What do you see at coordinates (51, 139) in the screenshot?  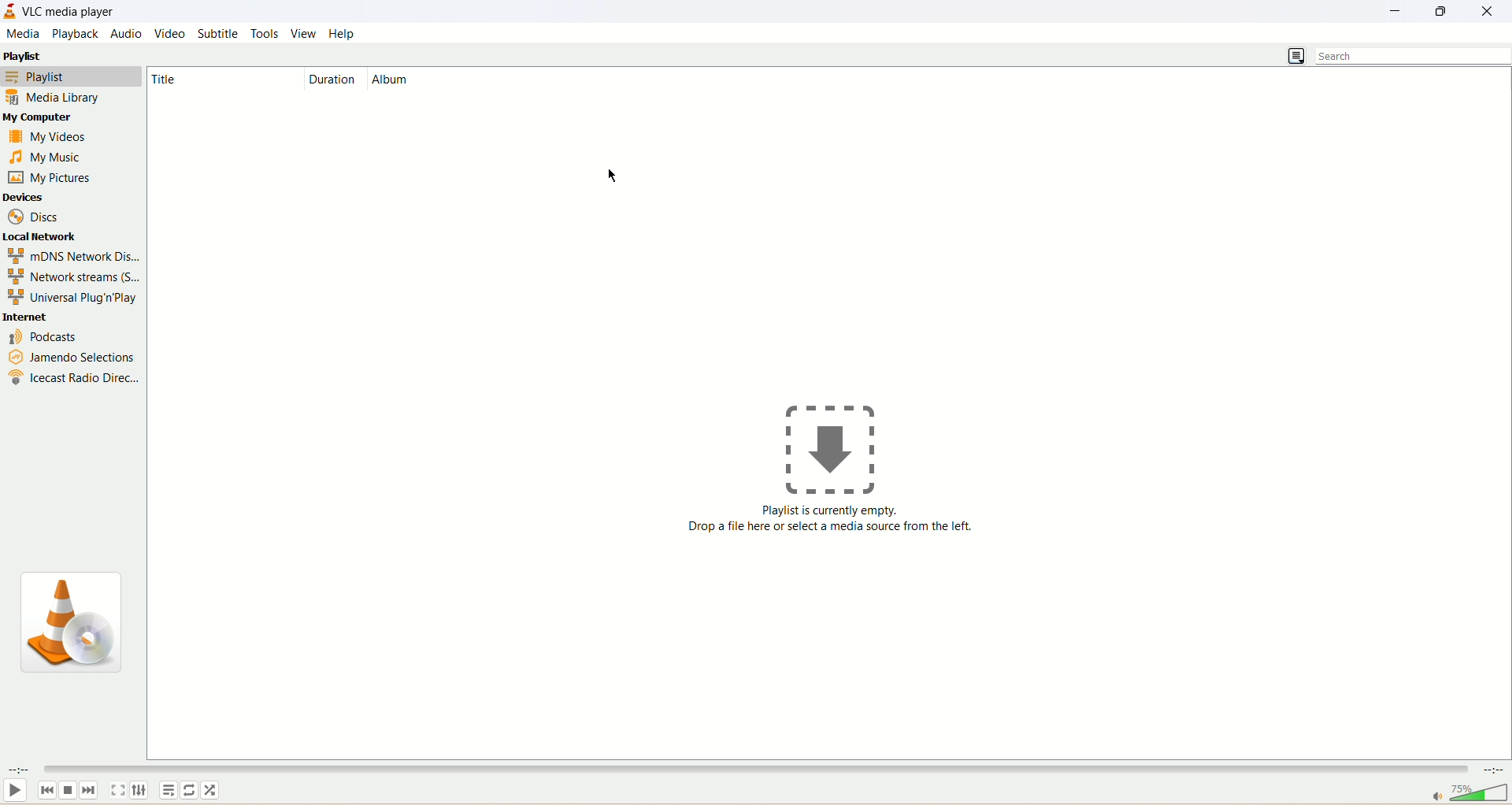 I see `my videos` at bounding box center [51, 139].